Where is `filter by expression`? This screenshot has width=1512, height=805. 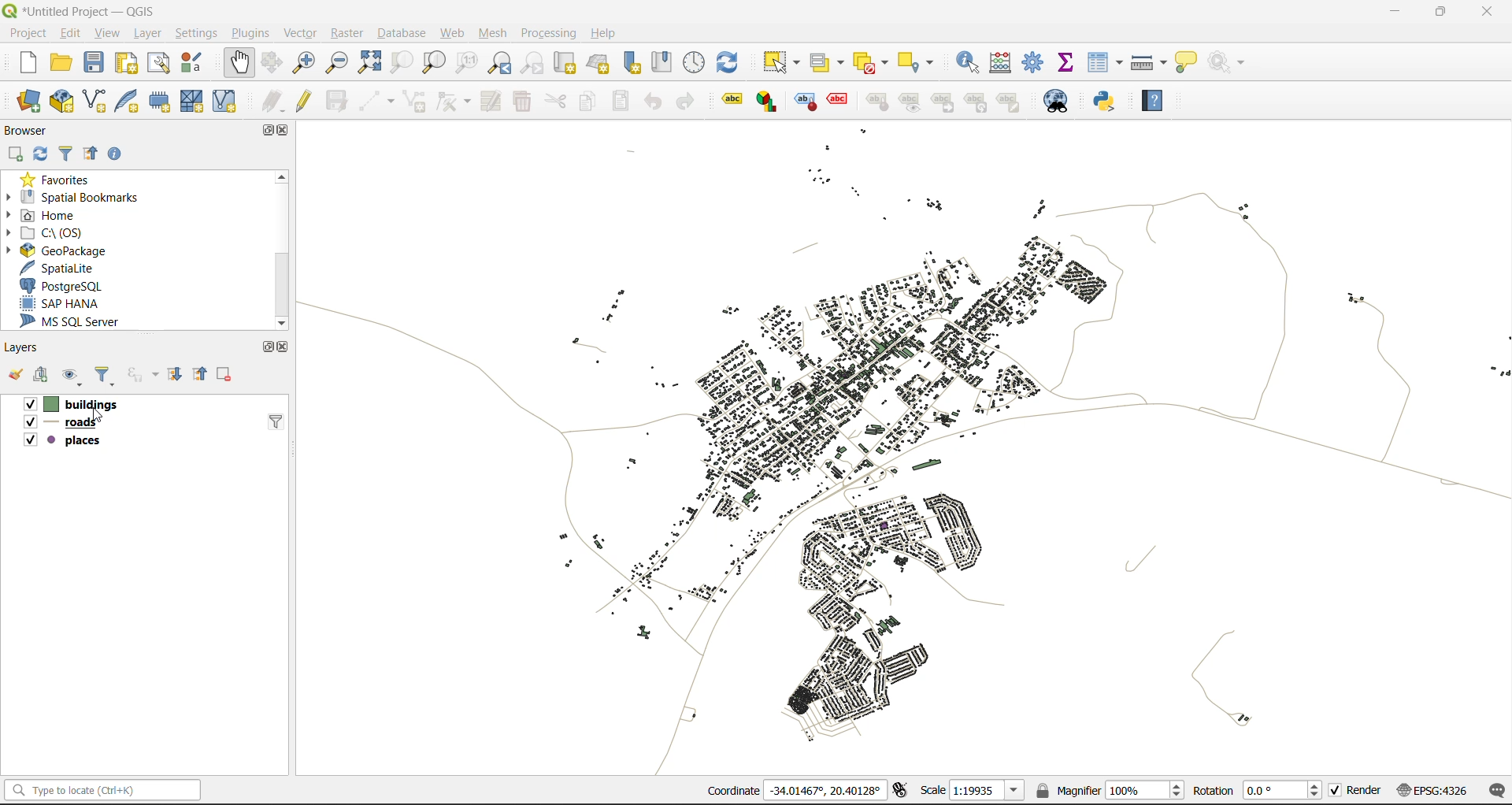
filter by expression is located at coordinates (143, 376).